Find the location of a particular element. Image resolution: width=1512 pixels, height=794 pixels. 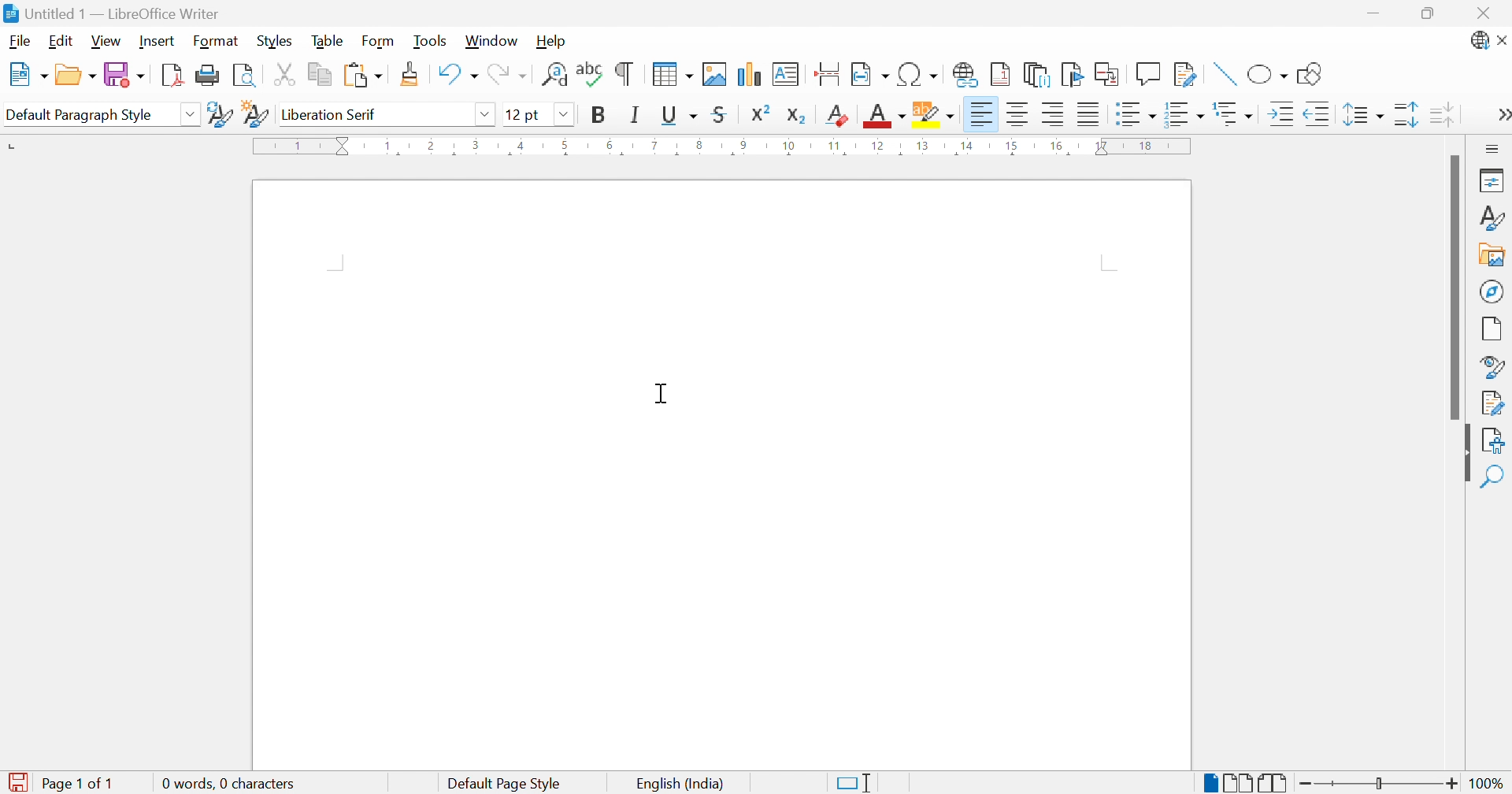

12 pt is located at coordinates (524, 114).